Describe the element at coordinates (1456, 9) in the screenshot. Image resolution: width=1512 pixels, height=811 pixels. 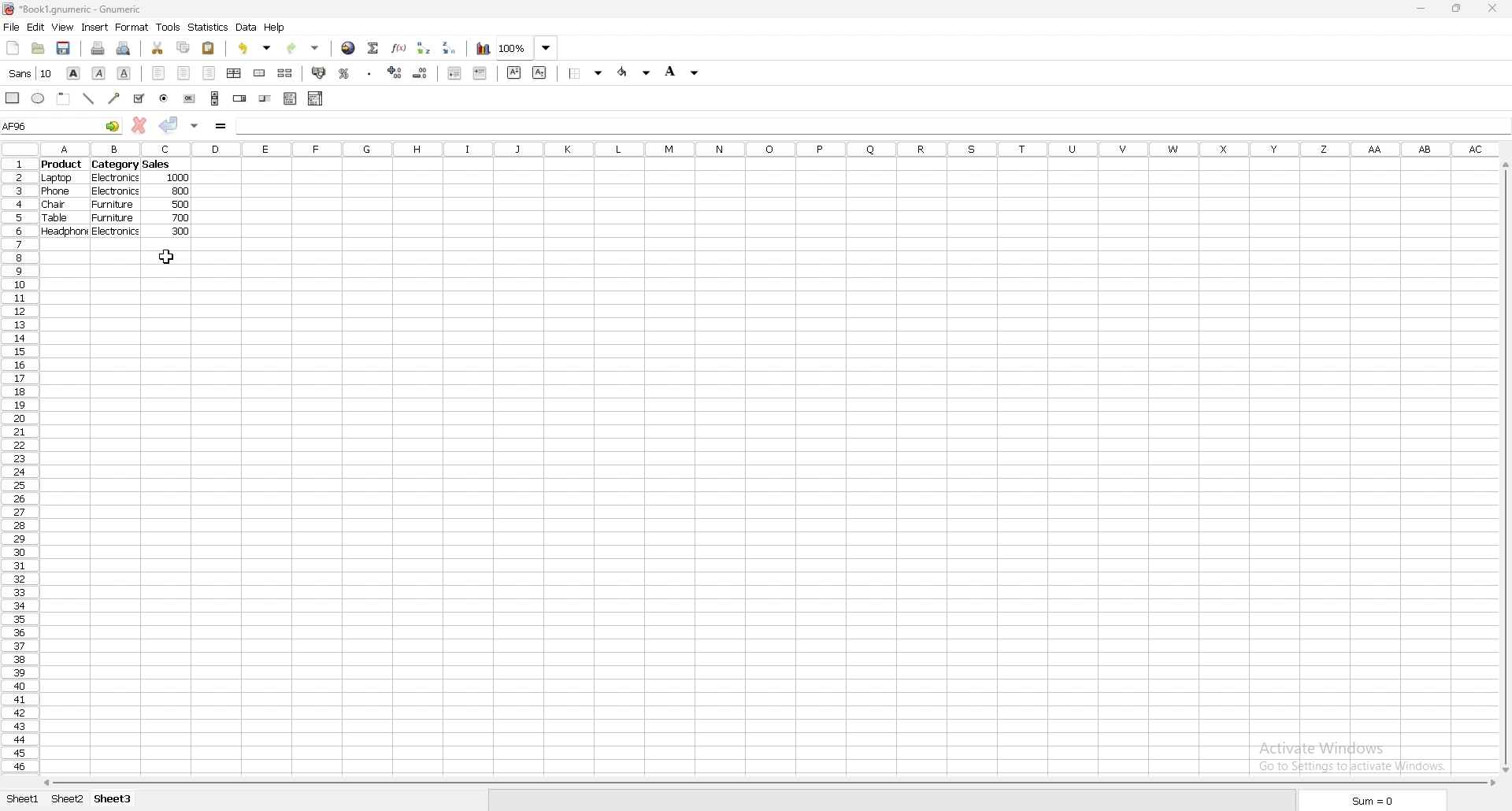
I see `resize` at that location.